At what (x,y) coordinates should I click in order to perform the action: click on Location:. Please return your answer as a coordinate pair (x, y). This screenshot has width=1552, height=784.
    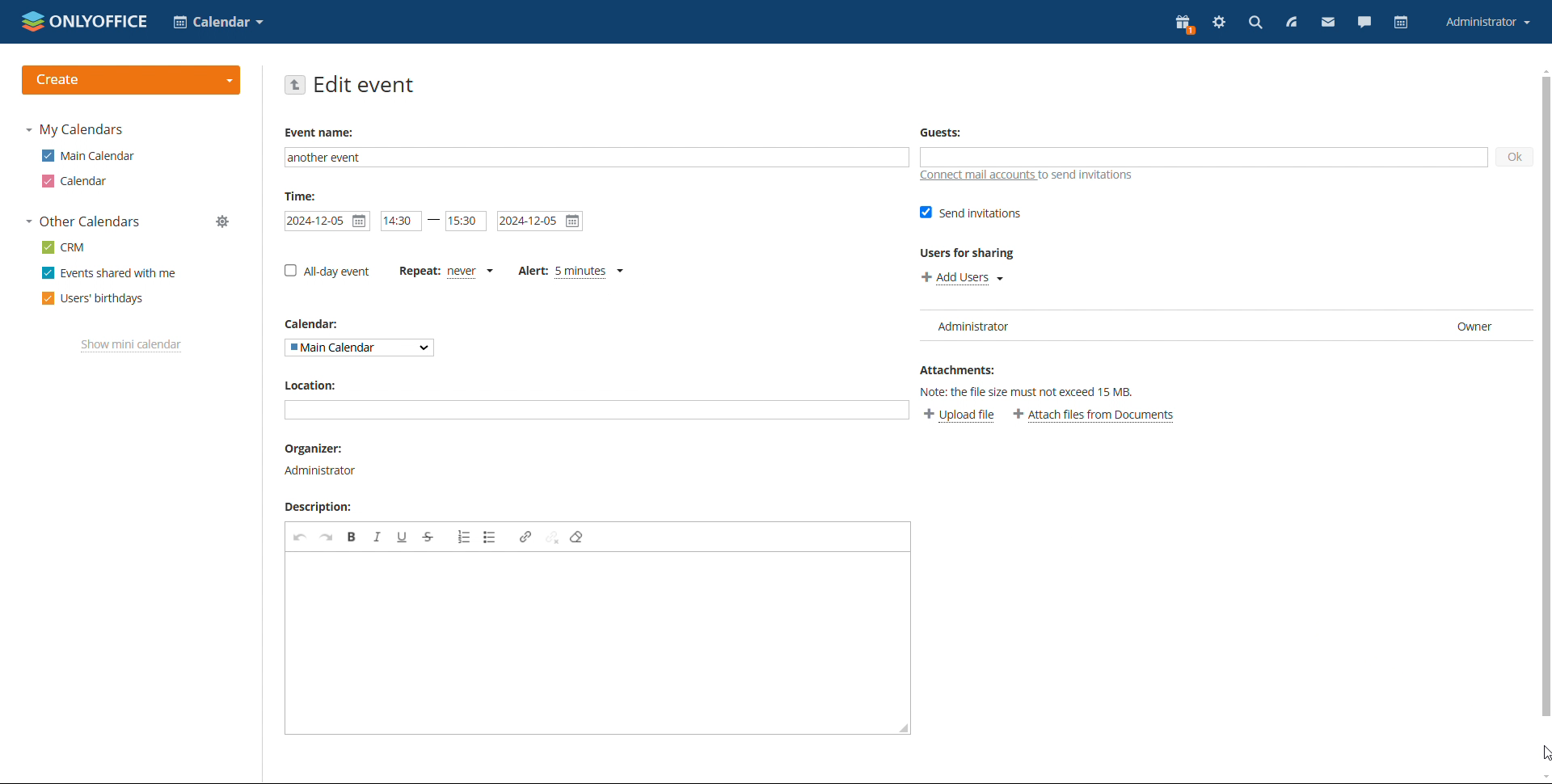
    Looking at the image, I should click on (309, 385).